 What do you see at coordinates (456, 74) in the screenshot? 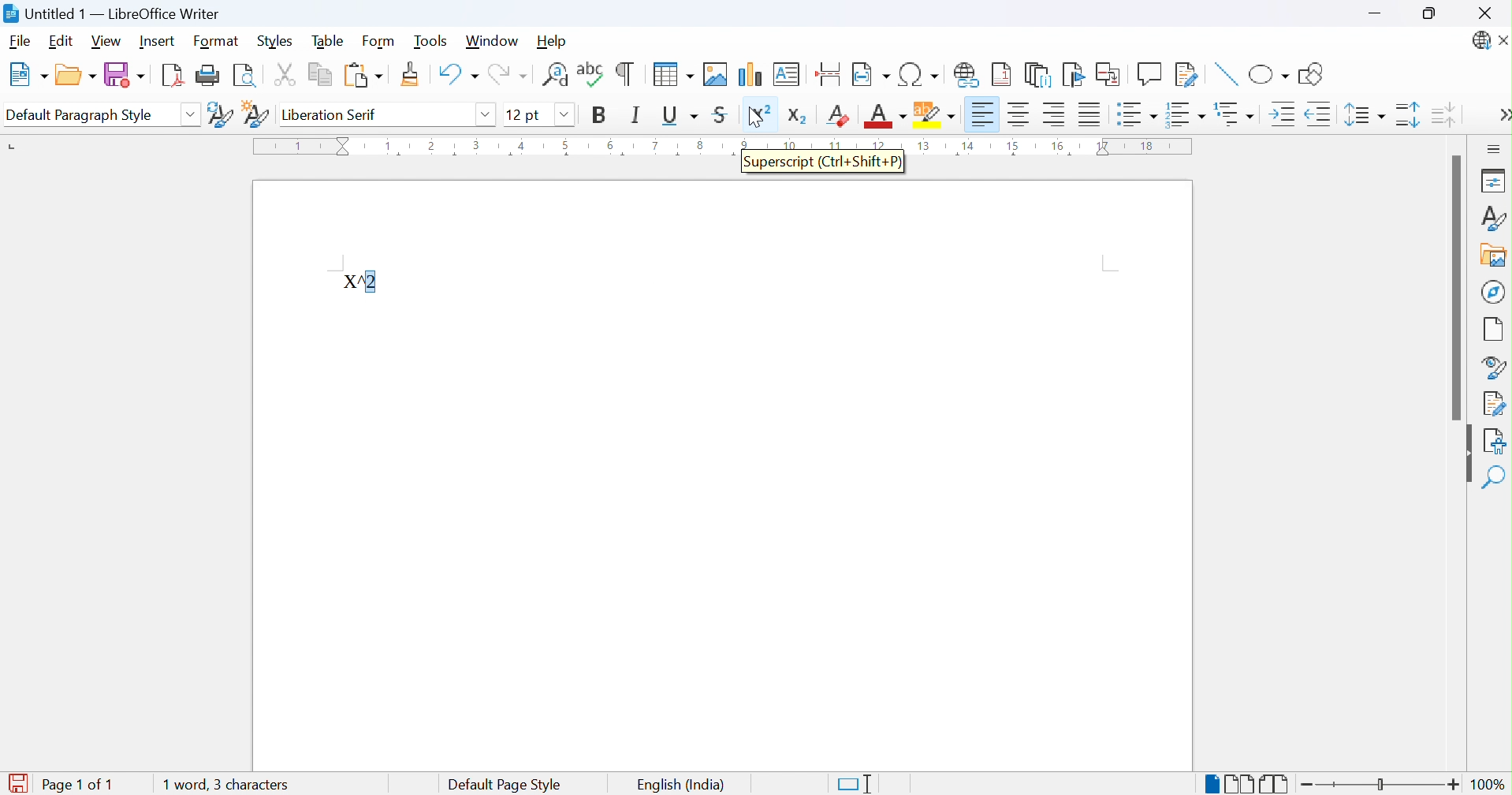
I see `Undo` at bounding box center [456, 74].